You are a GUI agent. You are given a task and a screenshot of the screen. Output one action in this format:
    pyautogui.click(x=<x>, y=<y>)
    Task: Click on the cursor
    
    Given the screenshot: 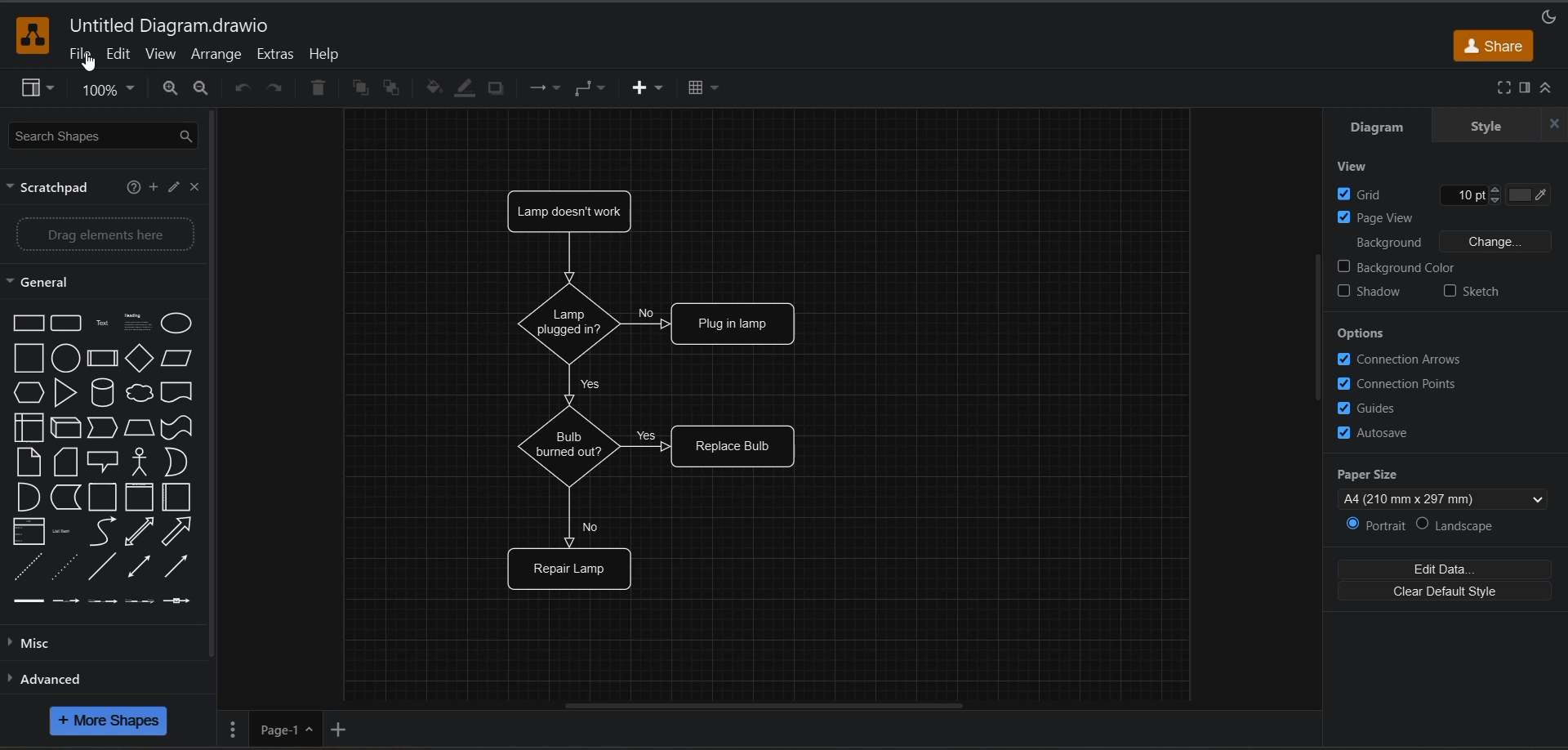 What is the action you would take?
    pyautogui.click(x=90, y=63)
    